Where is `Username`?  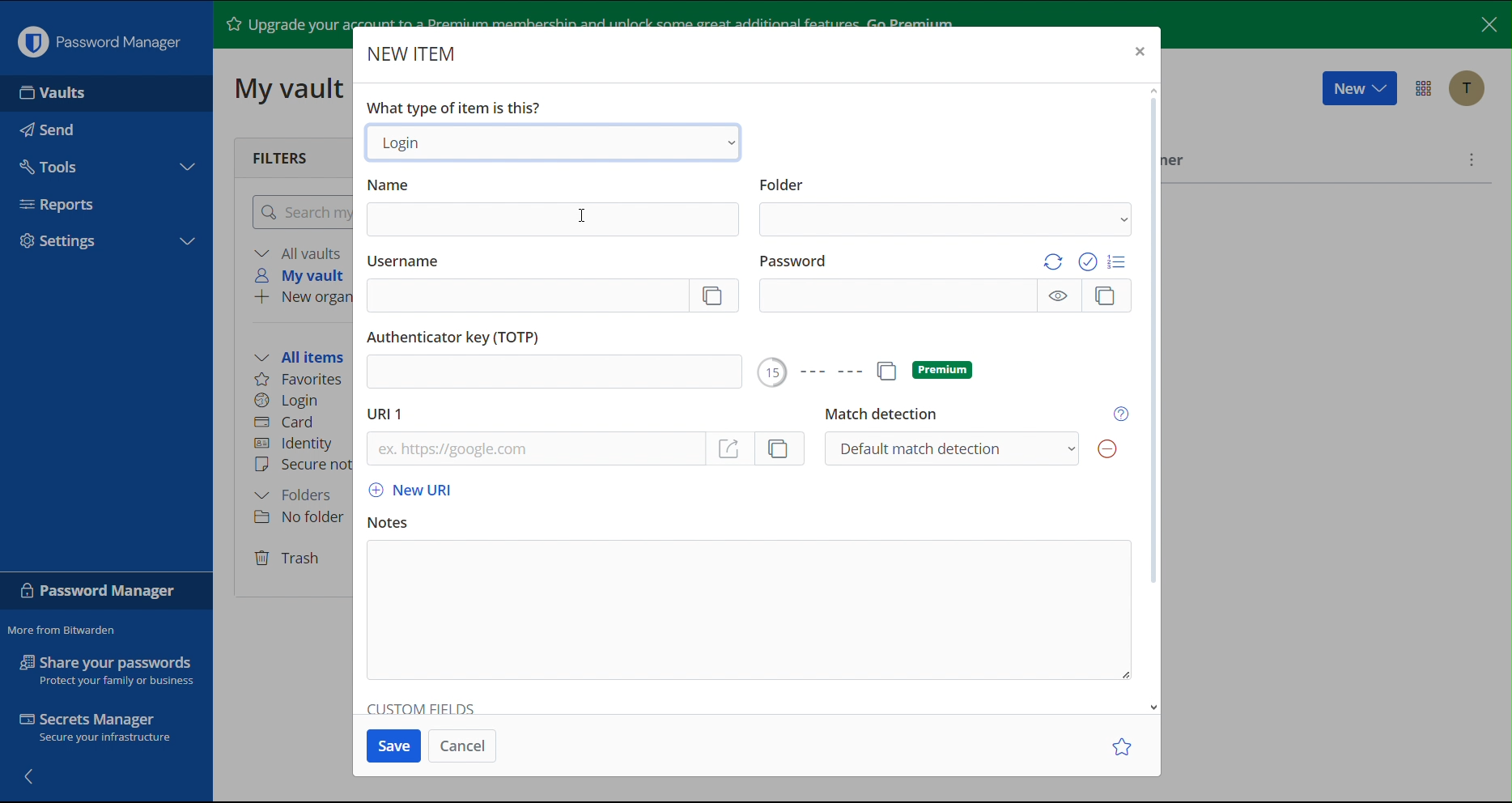
Username is located at coordinates (549, 284).